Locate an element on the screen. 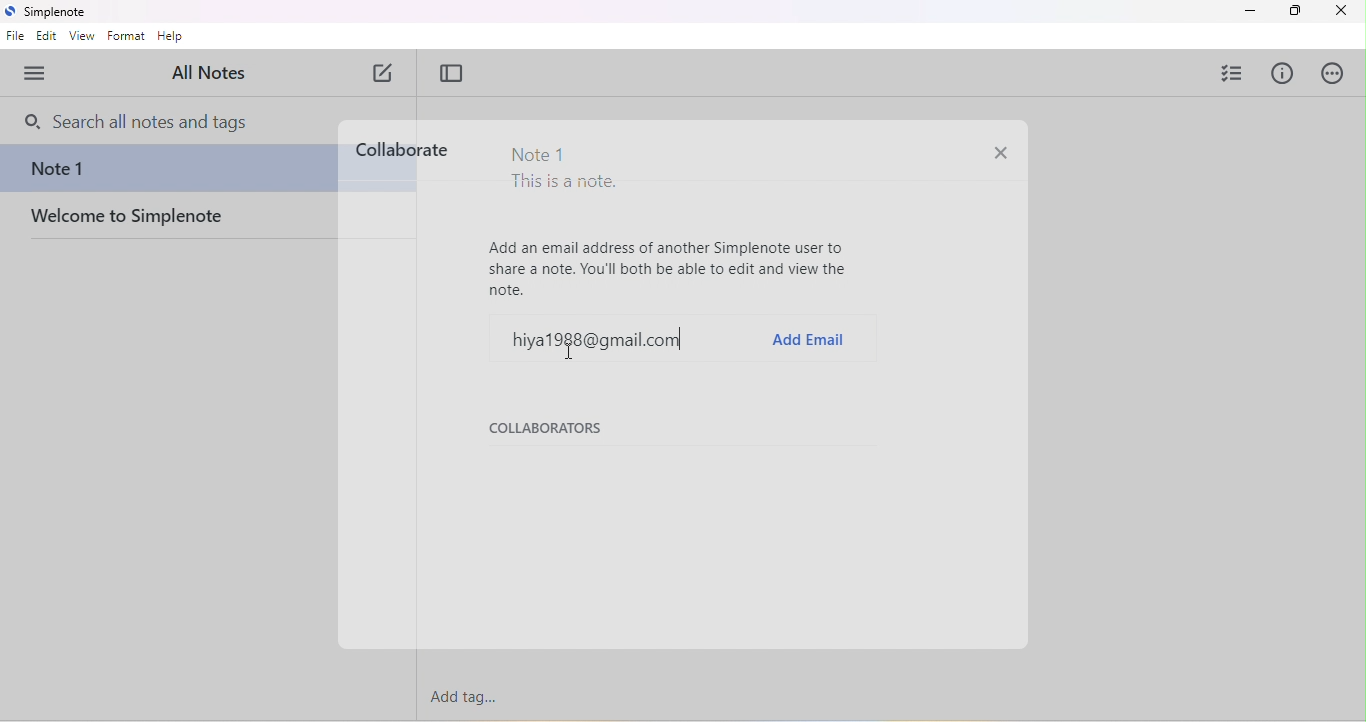  collaborators is located at coordinates (552, 431).